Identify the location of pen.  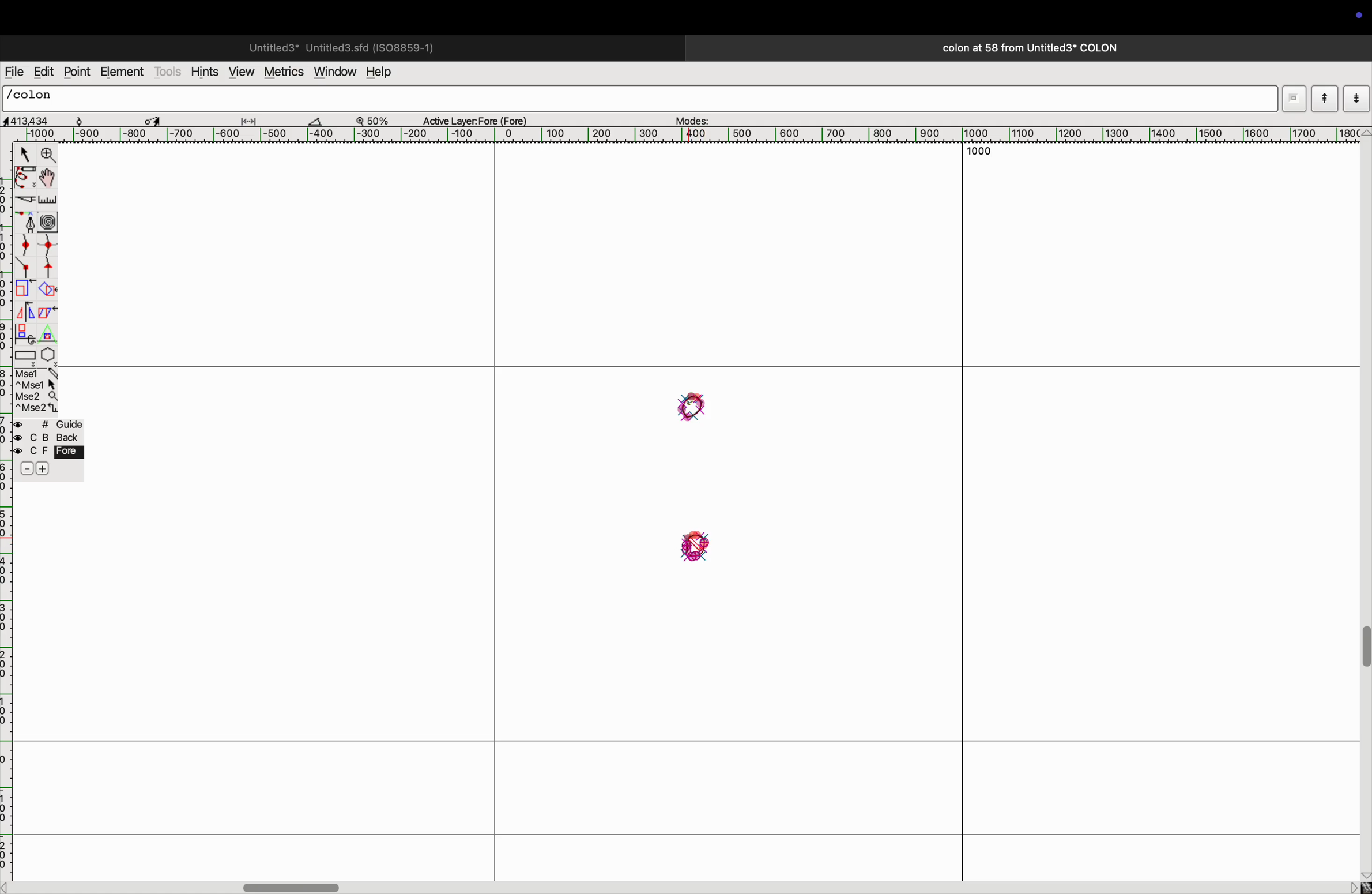
(25, 179).